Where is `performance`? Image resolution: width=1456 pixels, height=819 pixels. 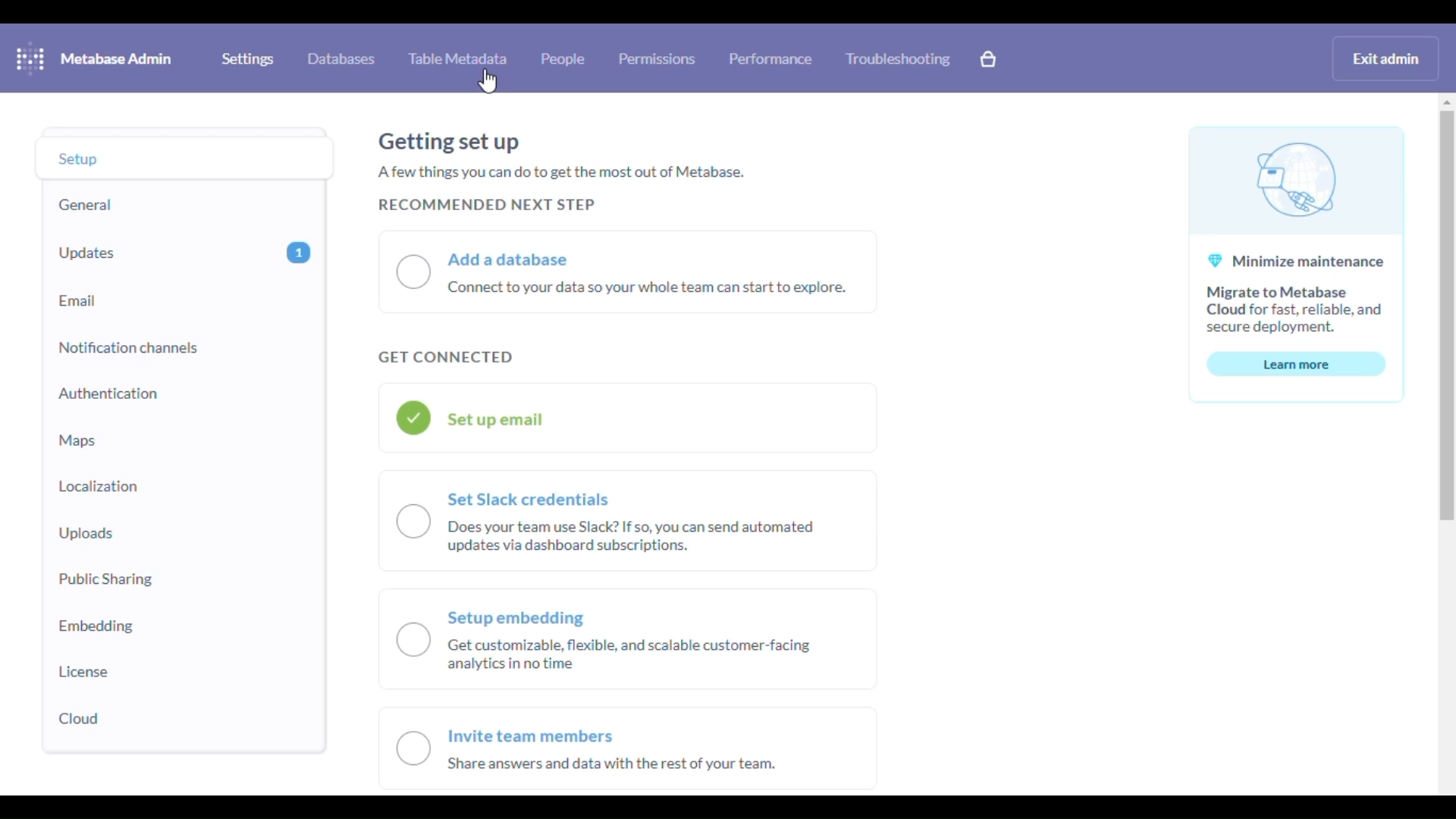
performance is located at coordinates (772, 58).